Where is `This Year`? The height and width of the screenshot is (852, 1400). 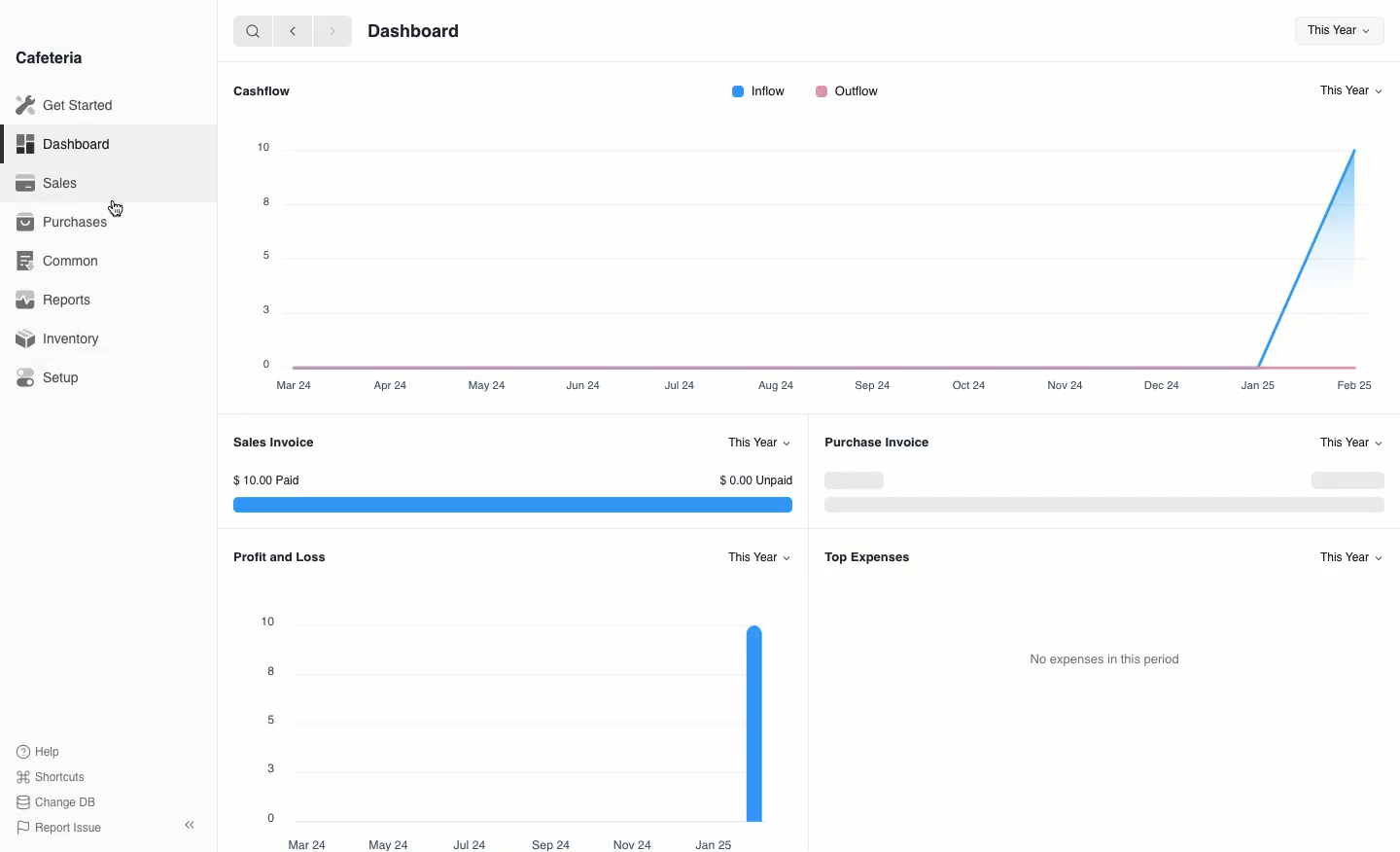 This Year is located at coordinates (1351, 555).